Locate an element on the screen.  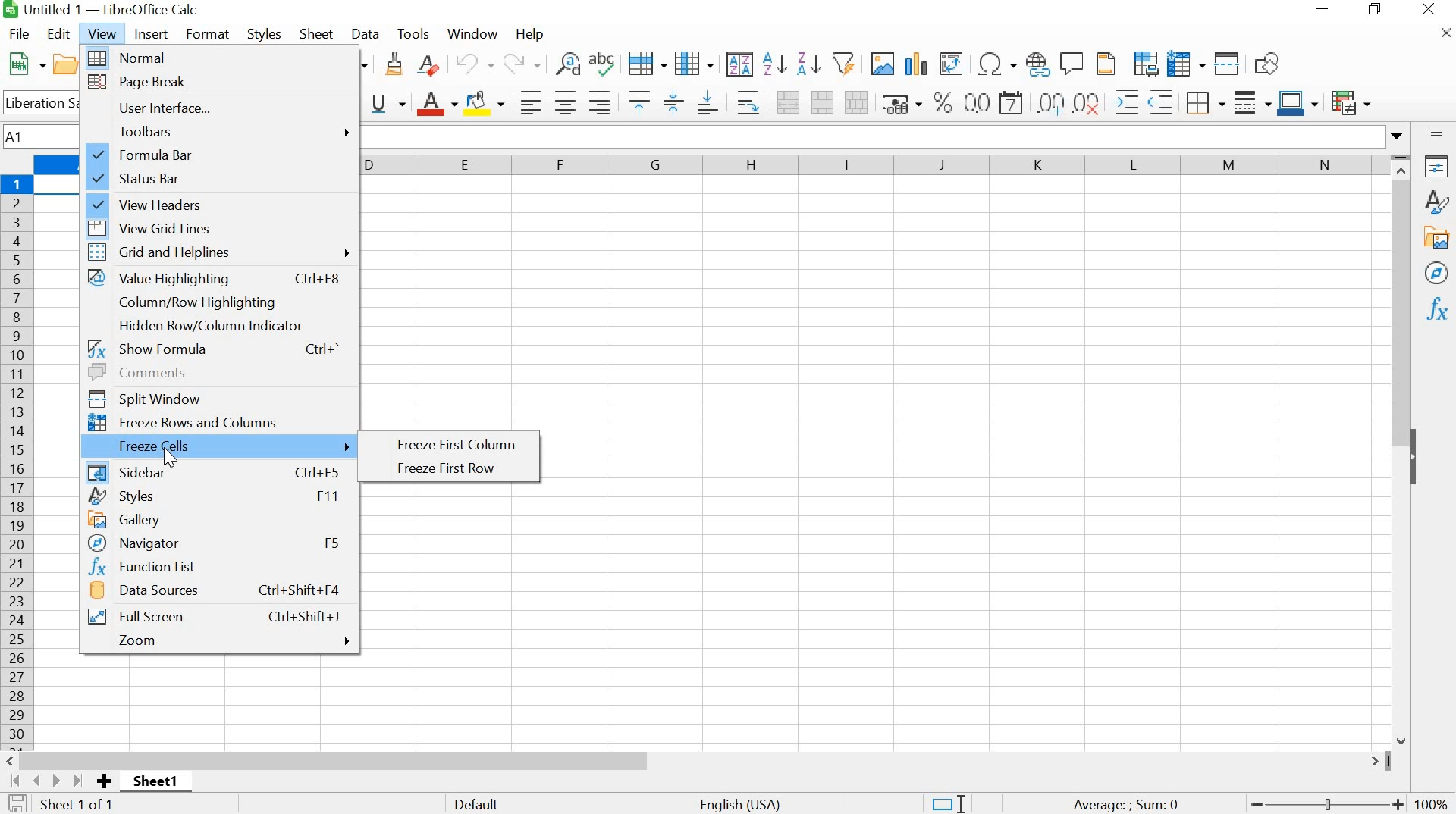
ALIGN LEFT is located at coordinates (528, 101).